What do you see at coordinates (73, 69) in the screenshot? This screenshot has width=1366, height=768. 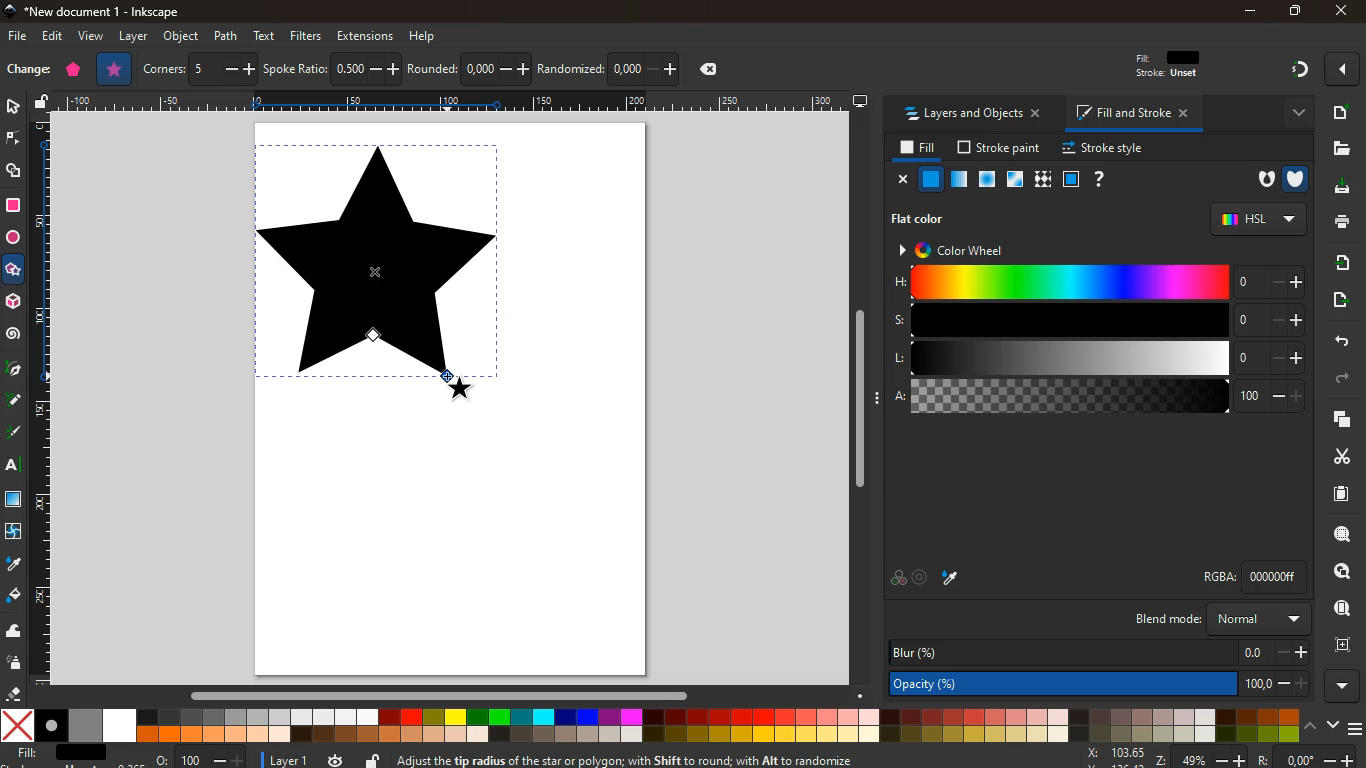 I see `polygon` at bounding box center [73, 69].